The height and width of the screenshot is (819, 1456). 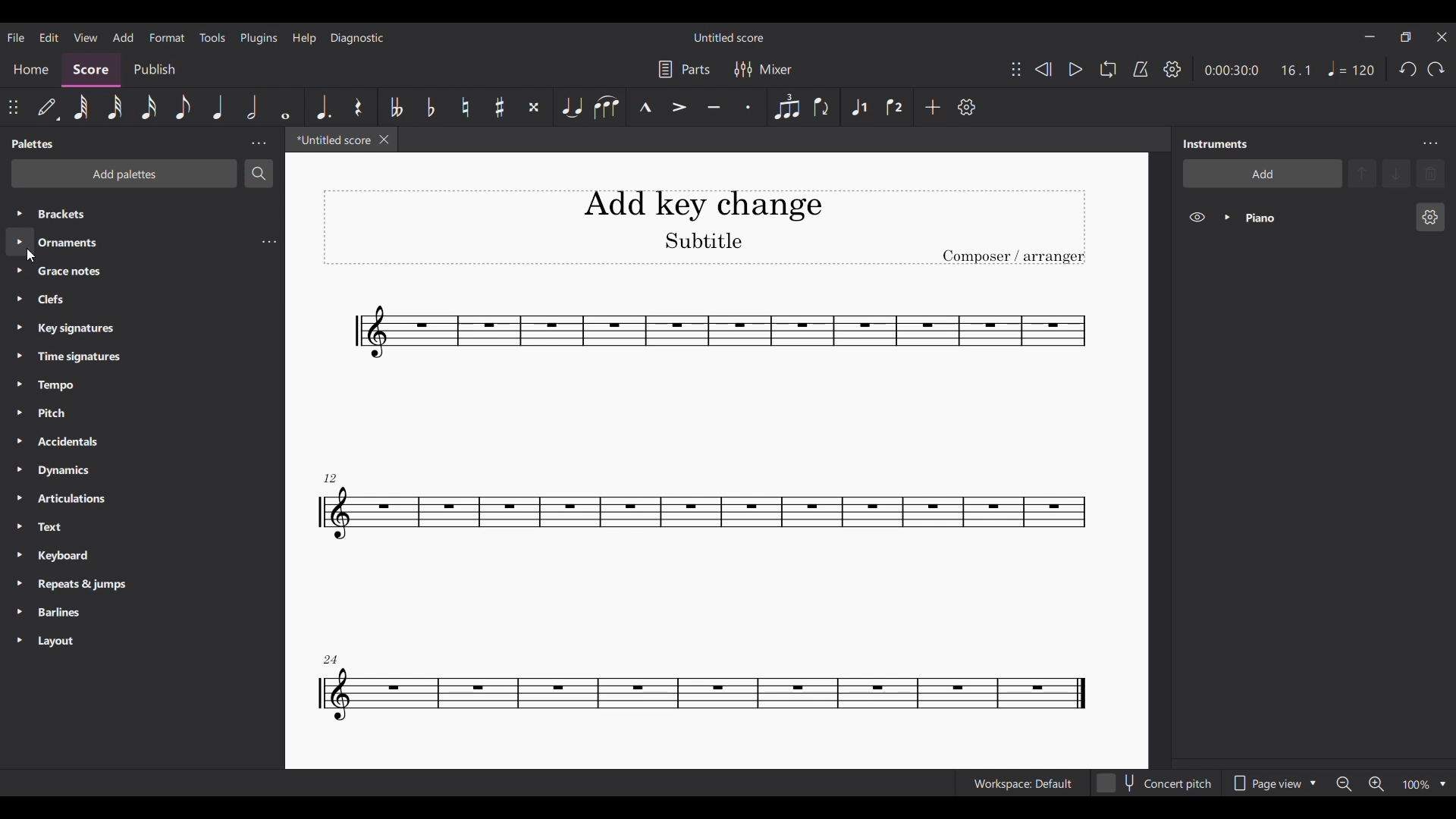 What do you see at coordinates (286, 106) in the screenshot?
I see `Whole note` at bounding box center [286, 106].